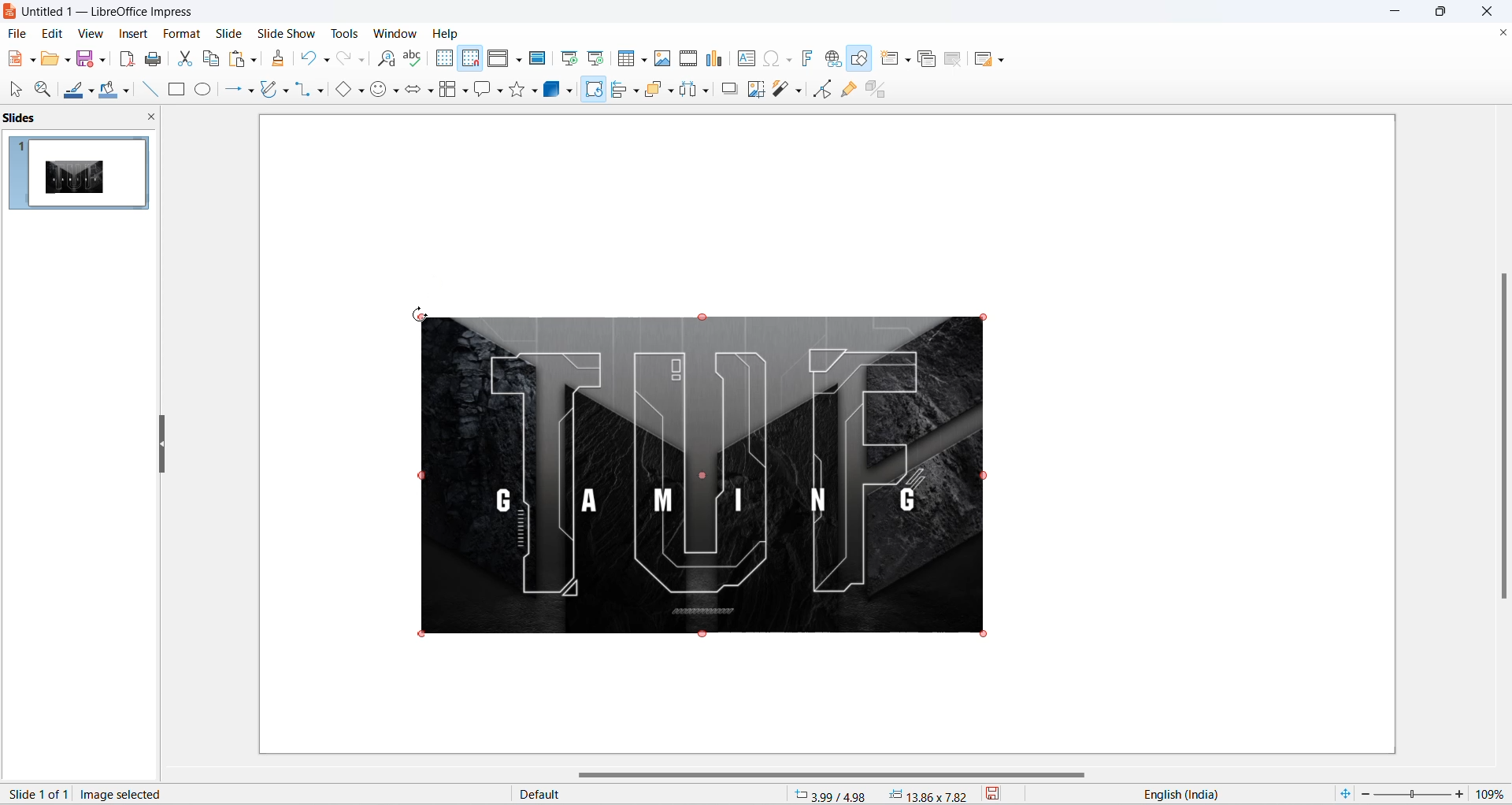  What do you see at coordinates (981, 476) in the screenshot?
I see `image selection markup` at bounding box center [981, 476].